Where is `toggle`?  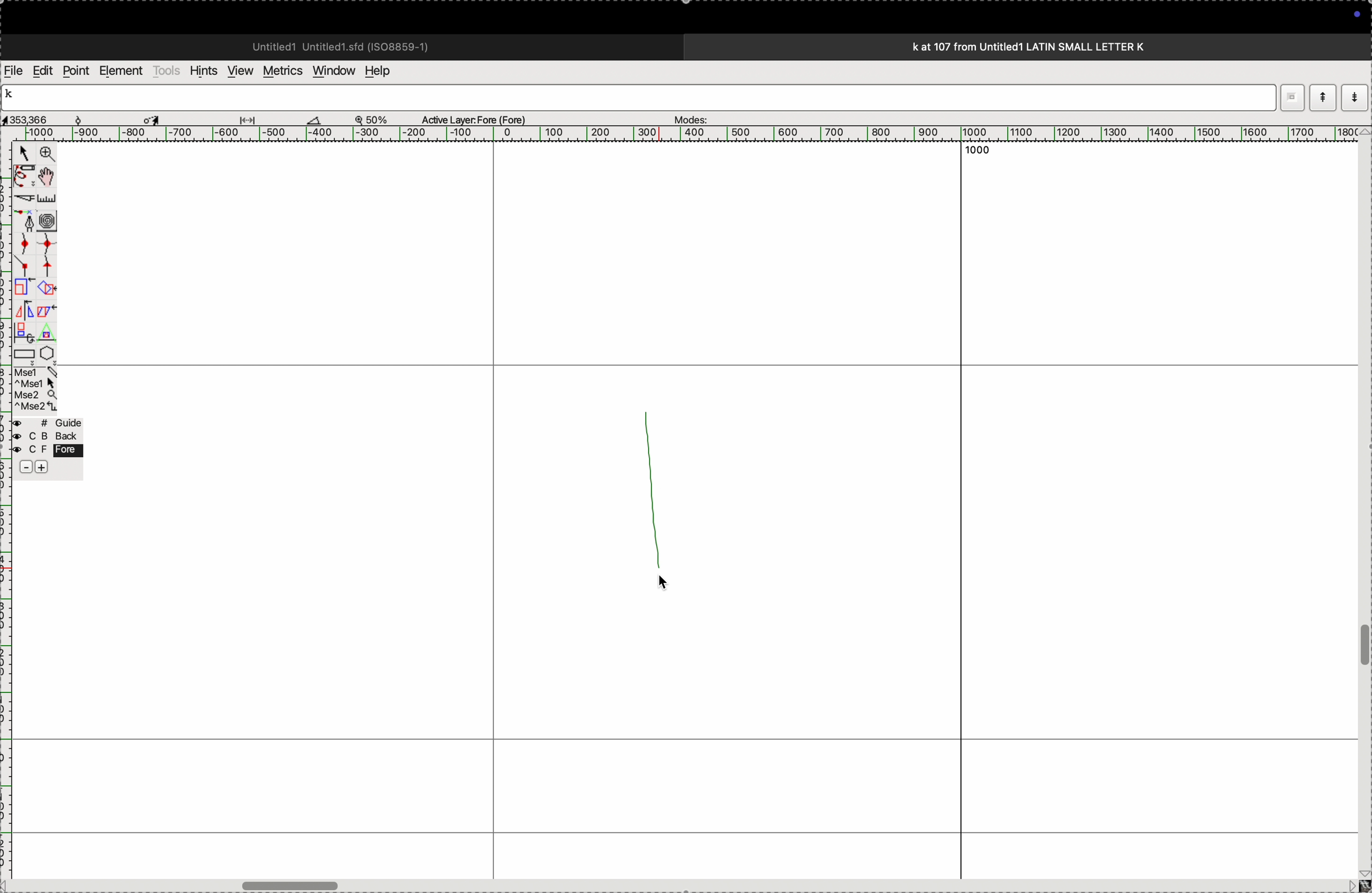
toggle is located at coordinates (1363, 646).